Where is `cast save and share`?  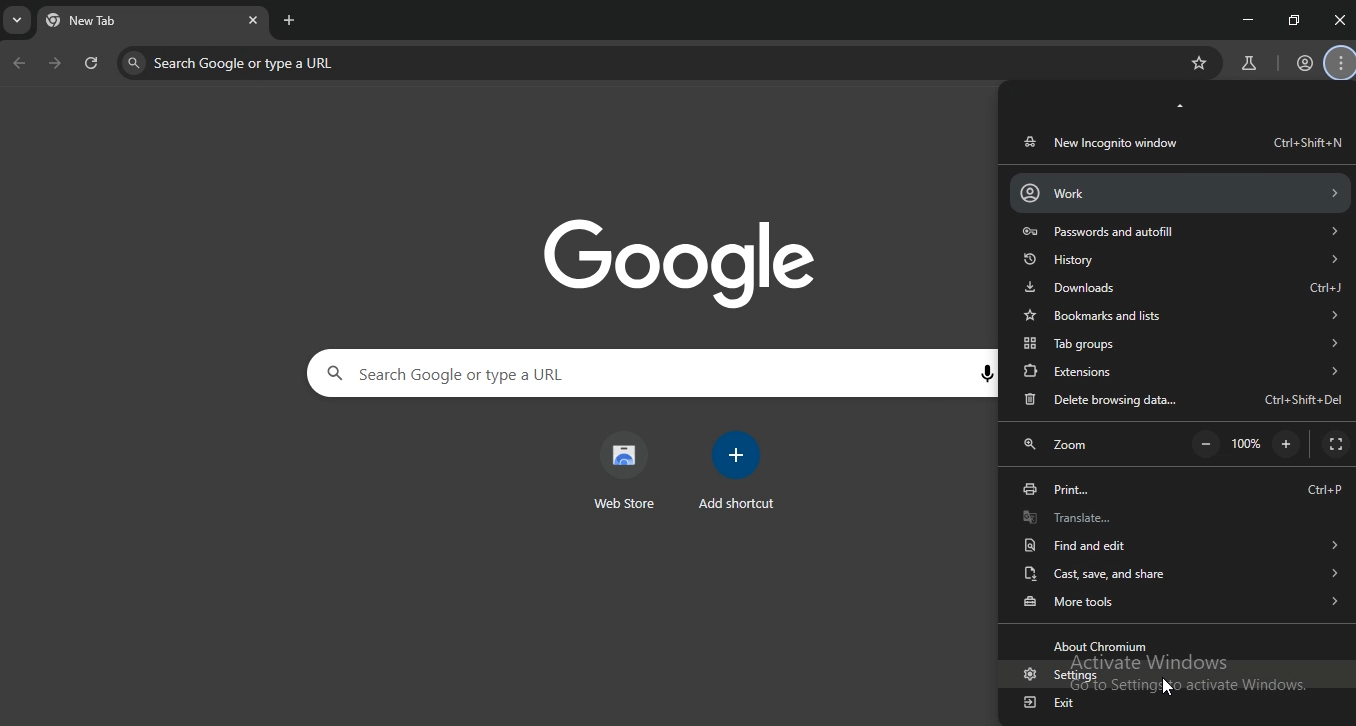 cast save and share is located at coordinates (1176, 572).